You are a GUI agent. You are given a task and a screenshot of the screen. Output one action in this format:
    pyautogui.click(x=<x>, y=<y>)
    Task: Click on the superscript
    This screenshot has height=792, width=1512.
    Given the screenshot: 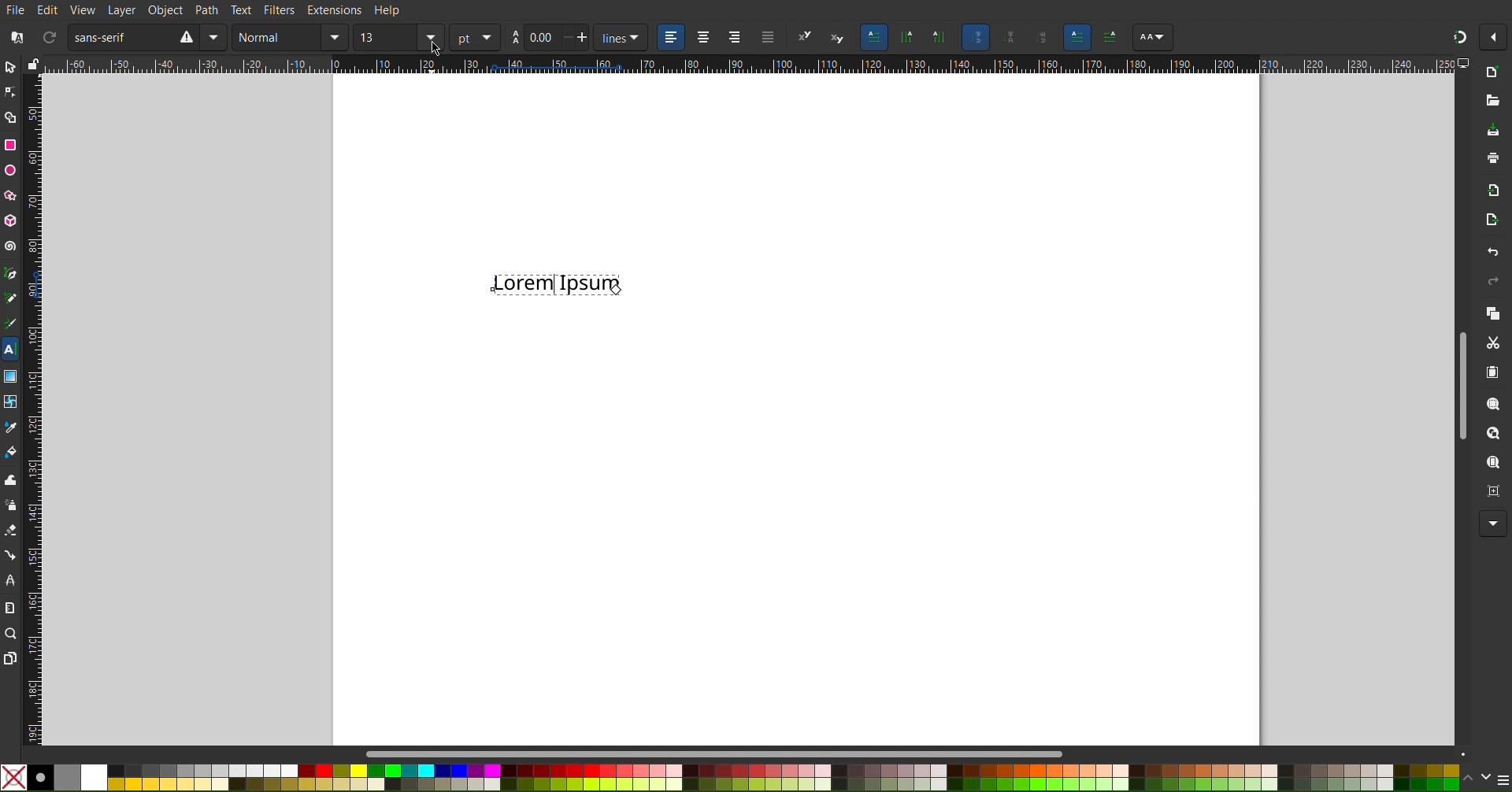 What is the action you would take?
    pyautogui.click(x=804, y=36)
    